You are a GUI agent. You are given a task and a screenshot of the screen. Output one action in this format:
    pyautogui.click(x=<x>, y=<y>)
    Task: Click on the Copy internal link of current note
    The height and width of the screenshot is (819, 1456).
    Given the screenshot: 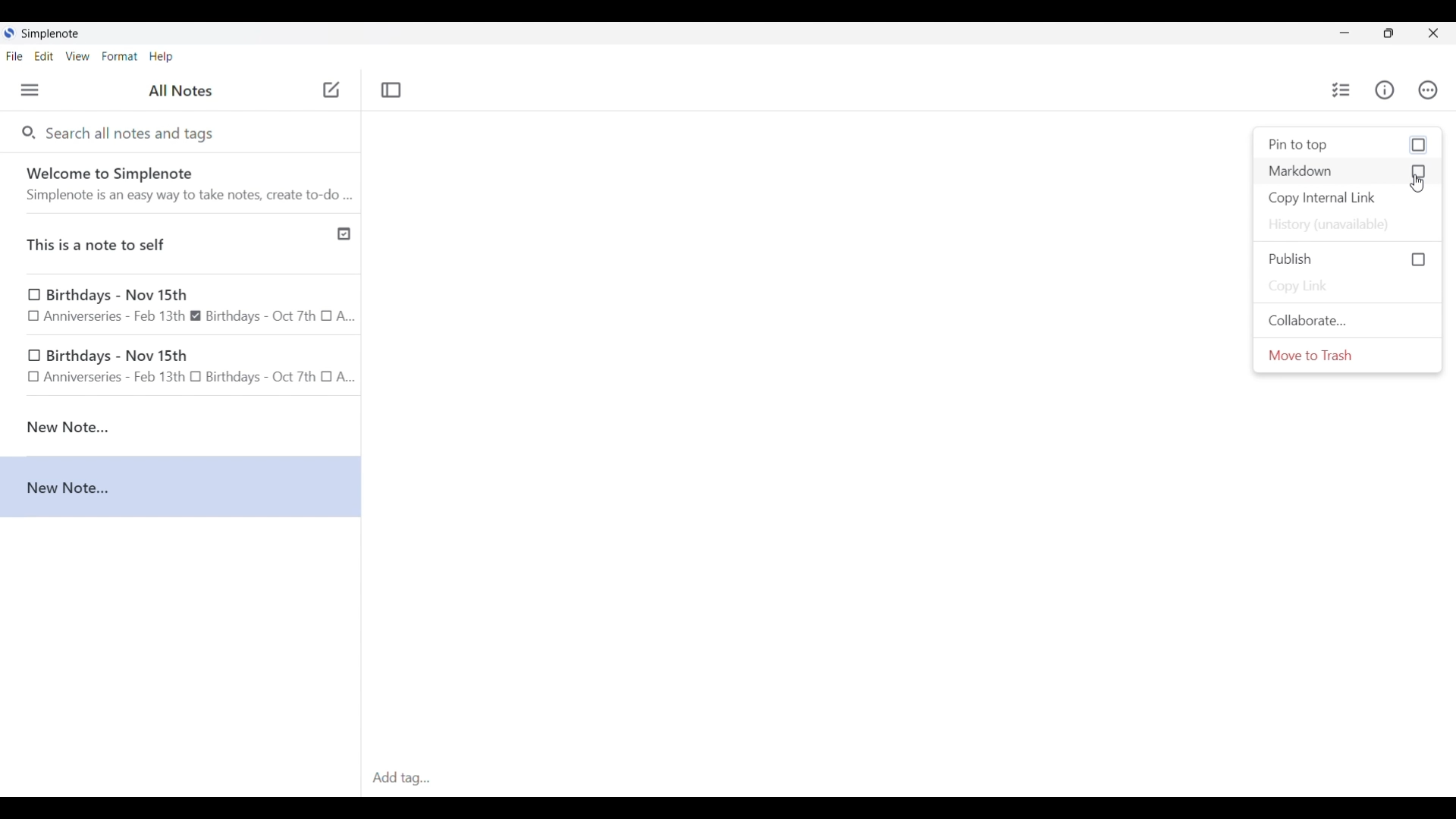 What is the action you would take?
    pyautogui.click(x=1348, y=198)
    